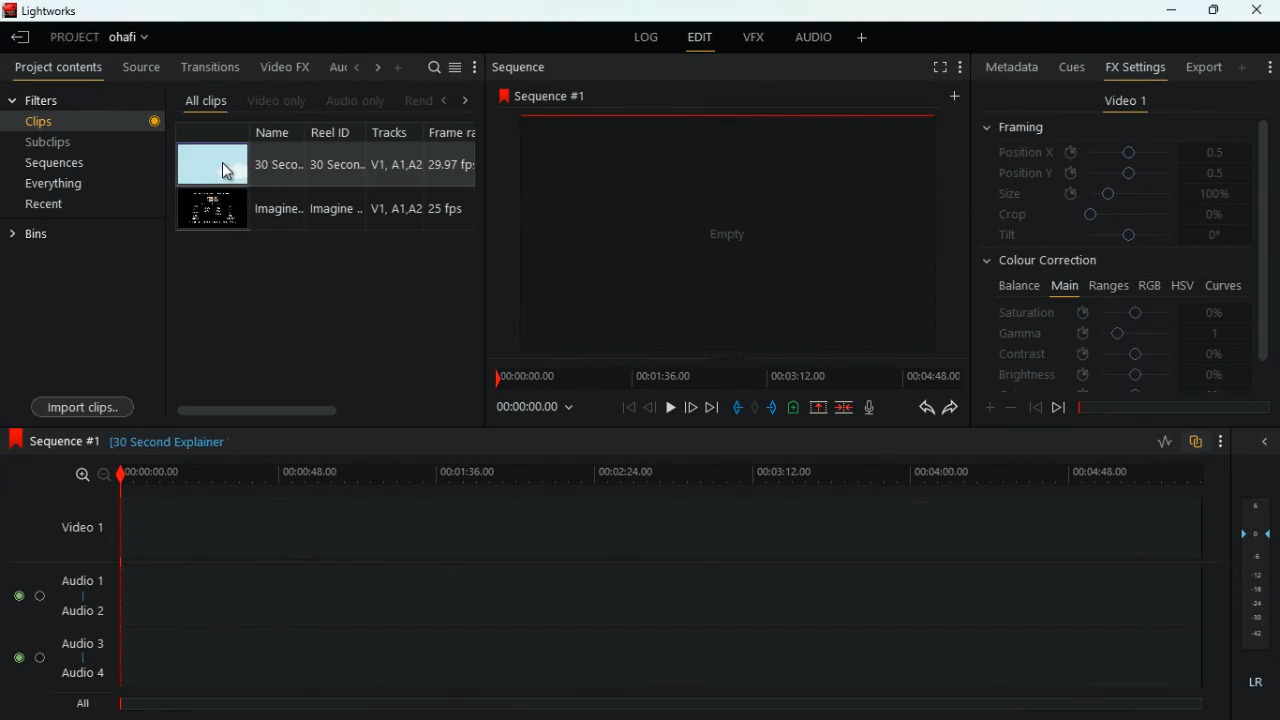  Describe the element at coordinates (155, 123) in the screenshot. I see `` at that location.